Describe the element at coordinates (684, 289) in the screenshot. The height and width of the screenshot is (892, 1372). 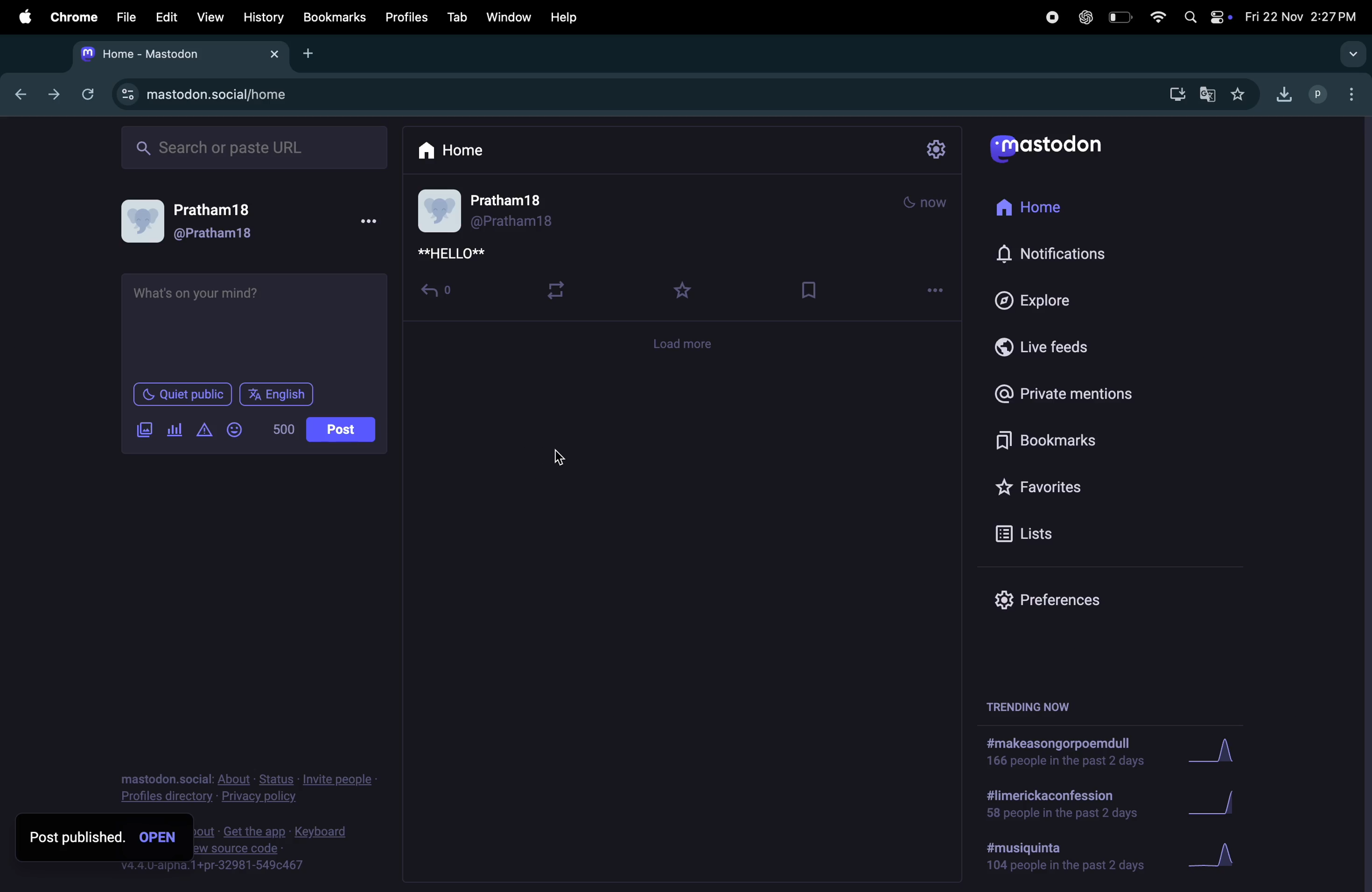
I see `starred` at that location.